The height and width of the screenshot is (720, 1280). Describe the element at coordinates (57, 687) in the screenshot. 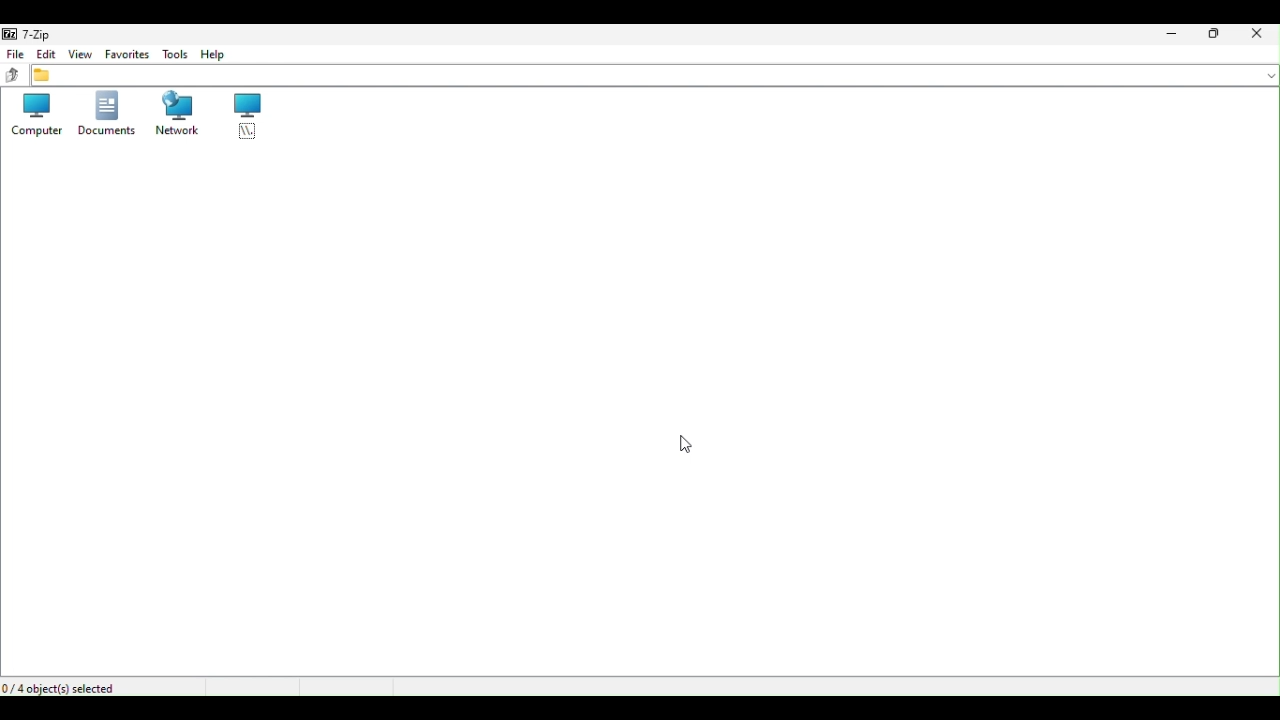

I see `0/4 object(s) selected` at that location.